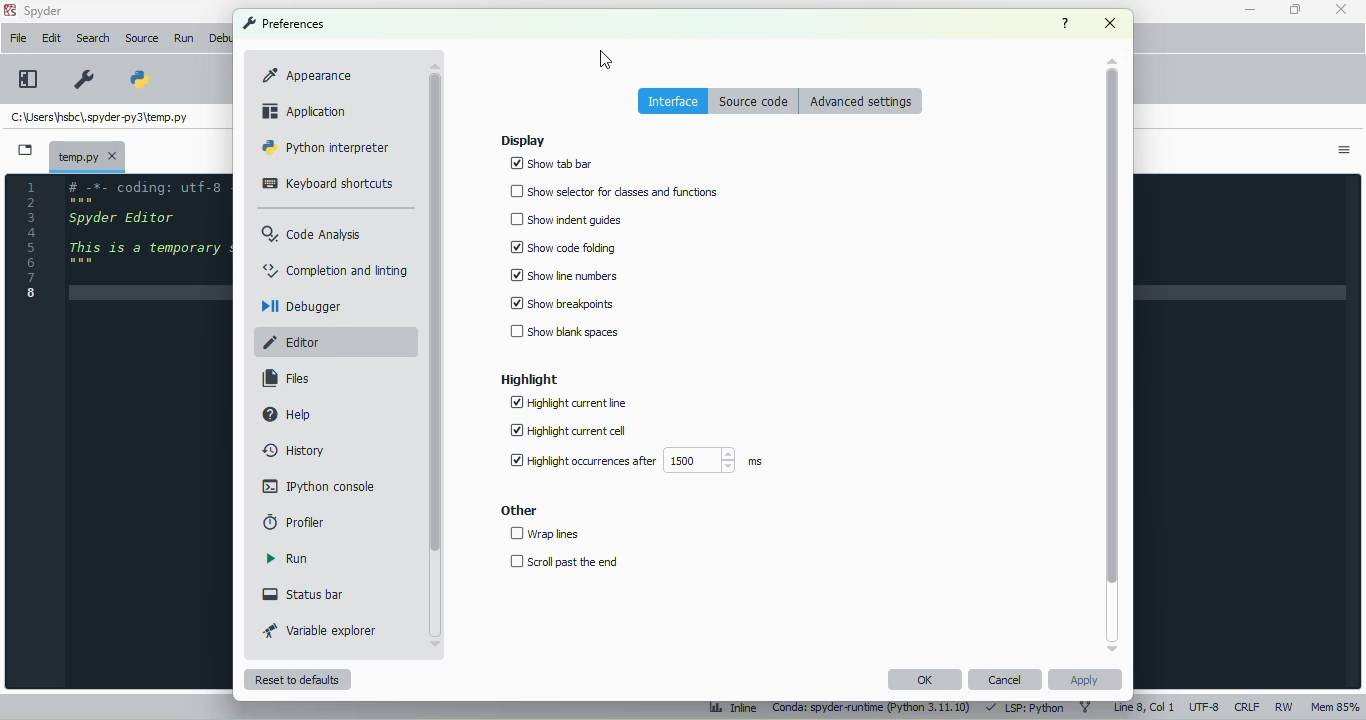 The height and width of the screenshot is (720, 1366). What do you see at coordinates (1249, 708) in the screenshot?
I see `CRLF` at bounding box center [1249, 708].